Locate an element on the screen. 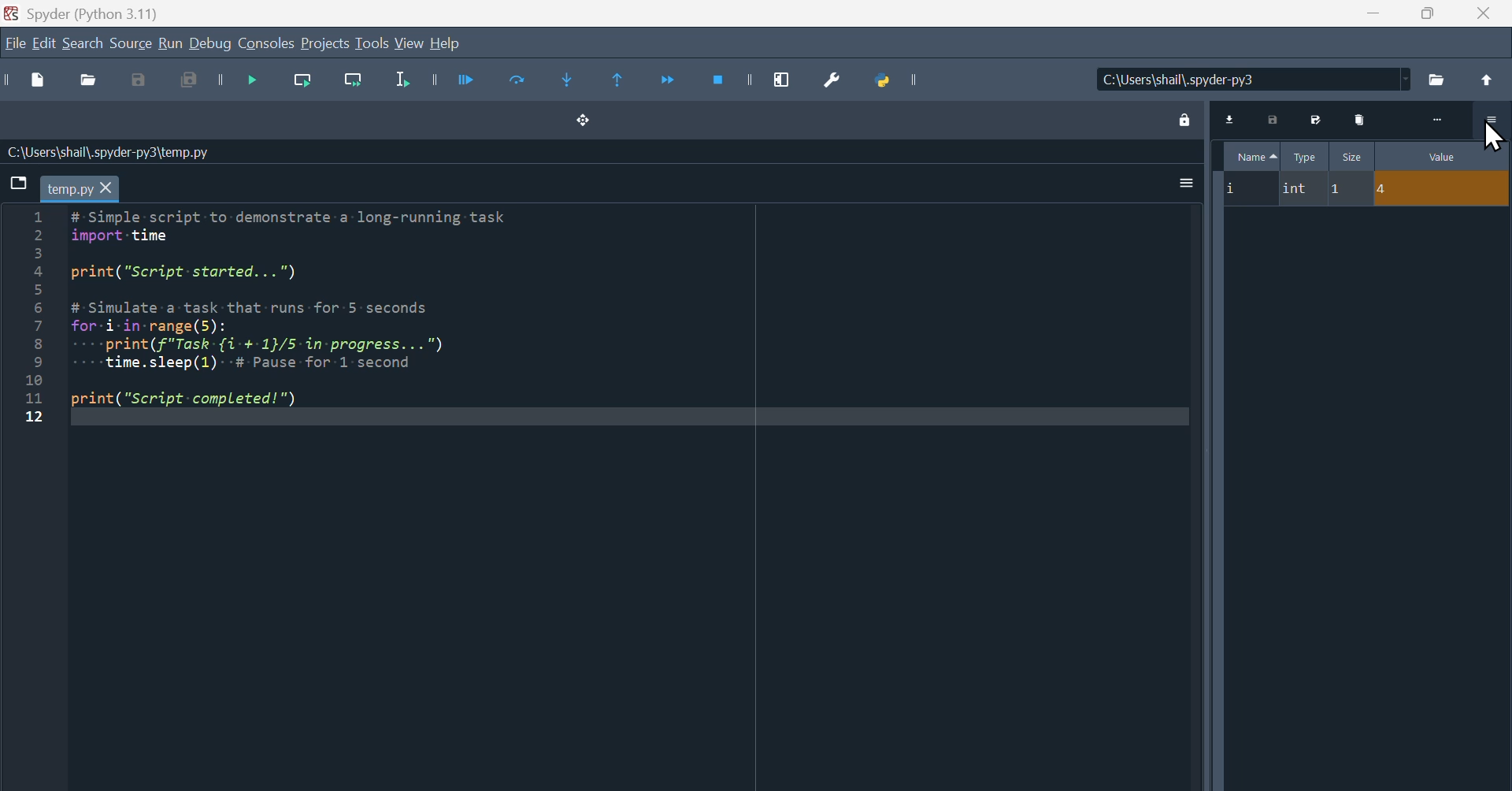  Debug is located at coordinates (209, 42).